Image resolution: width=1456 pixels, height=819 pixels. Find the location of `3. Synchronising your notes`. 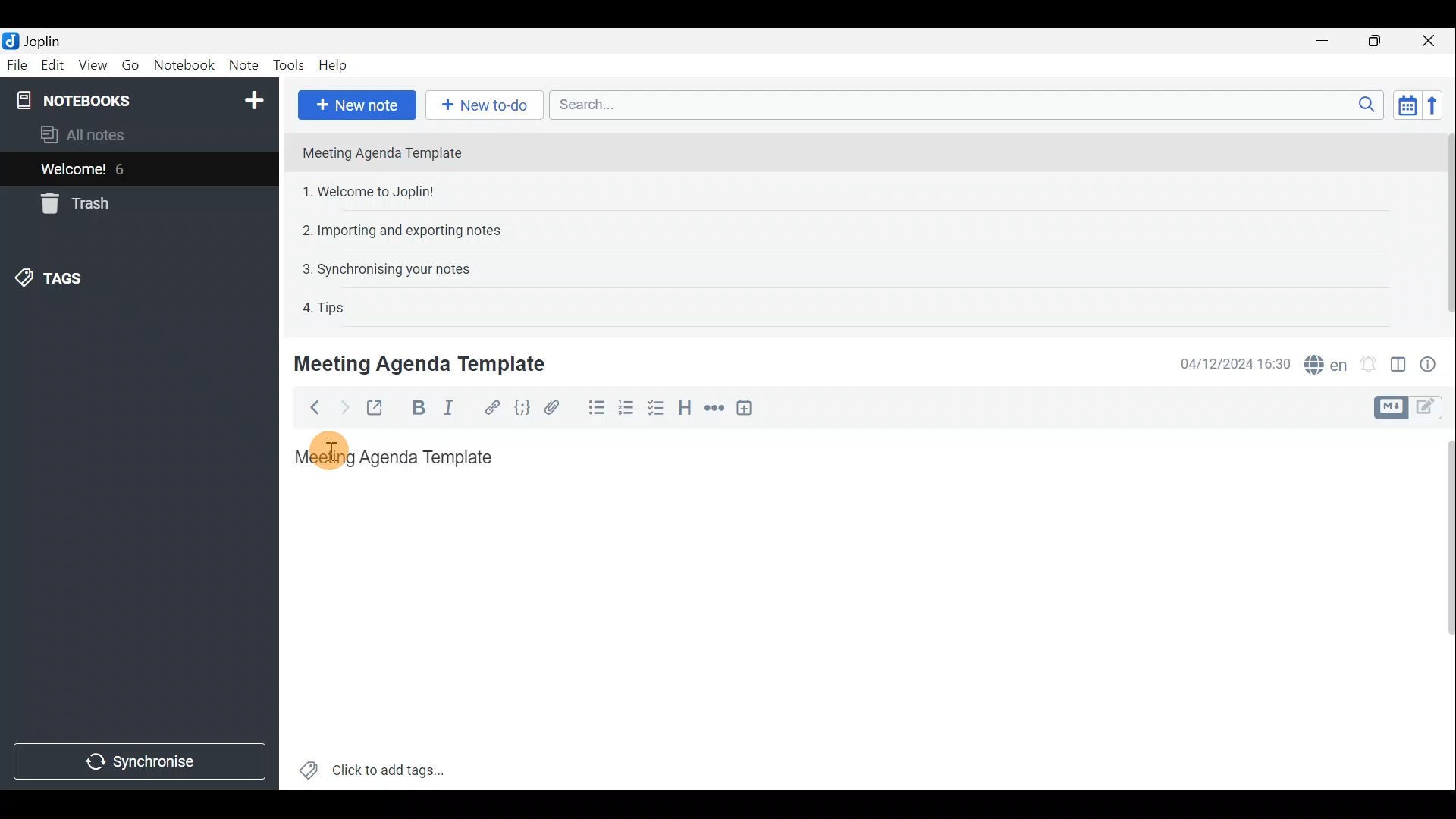

3. Synchronising your notes is located at coordinates (386, 268).